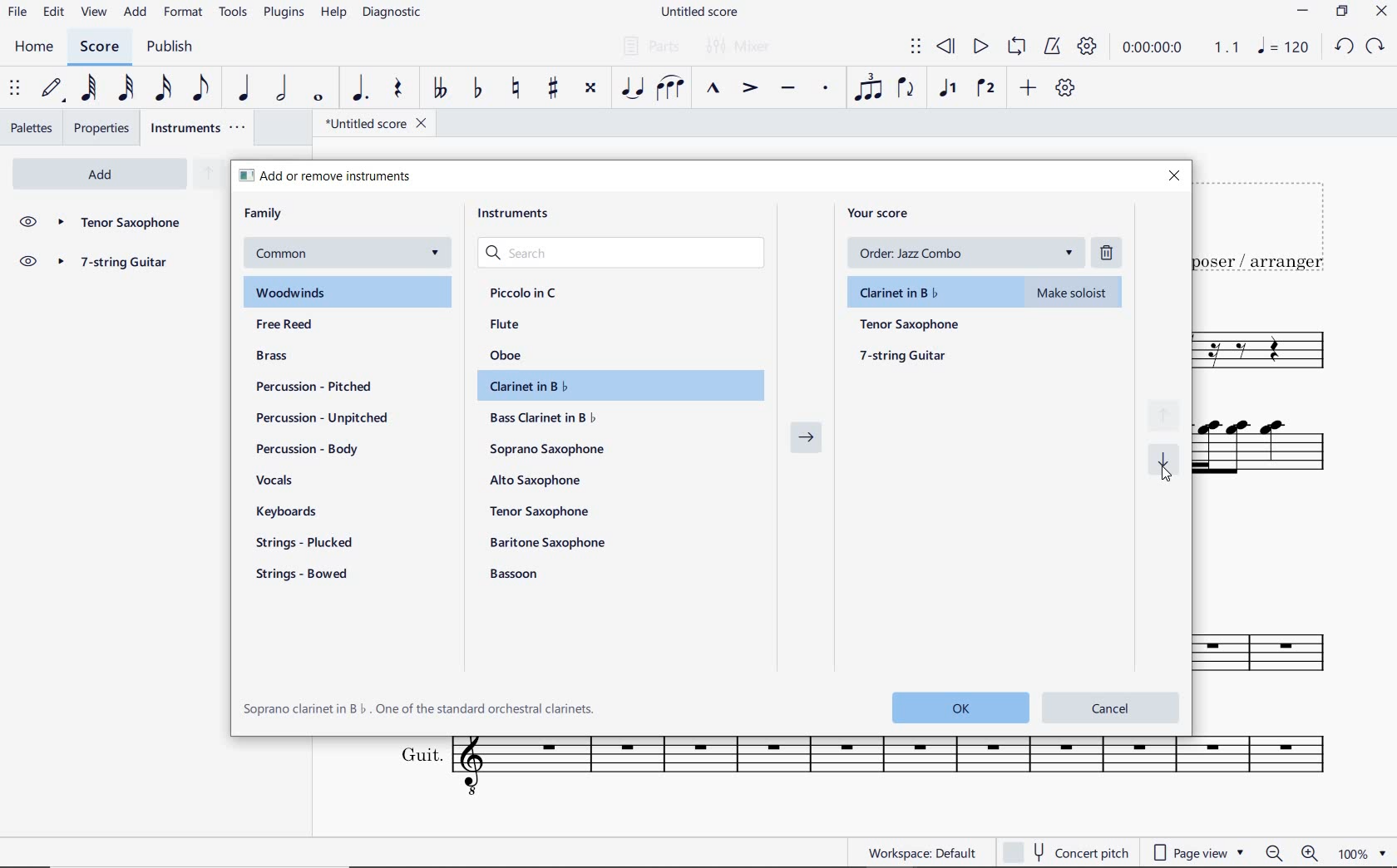 Image resolution: width=1397 pixels, height=868 pixels. What do you see at coordinates (1112, 706) in the screenshot?
I see `cancel` at bounding box center [1112, 706].